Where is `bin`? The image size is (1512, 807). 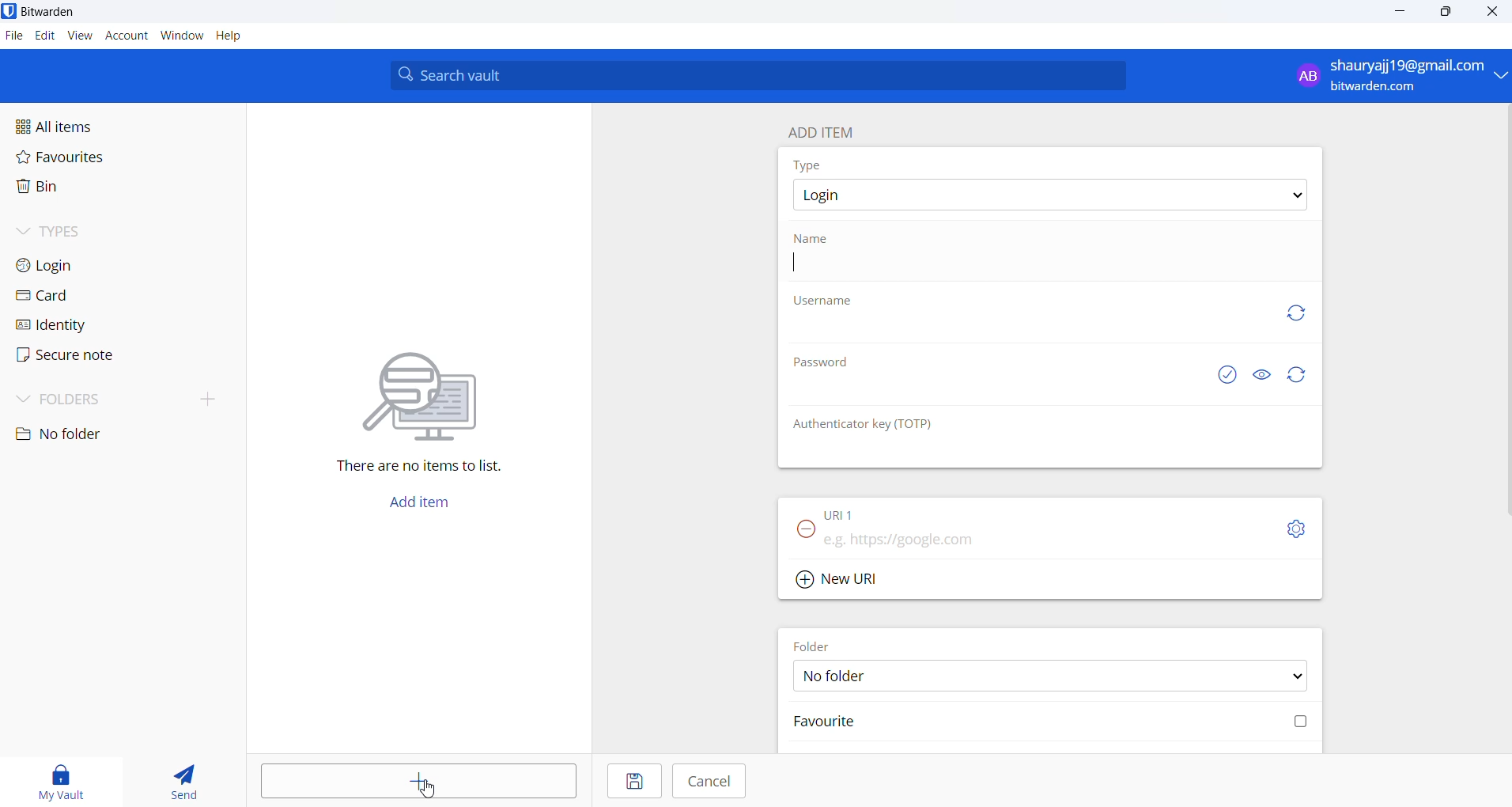 bin is located at coordinates (81, 191).